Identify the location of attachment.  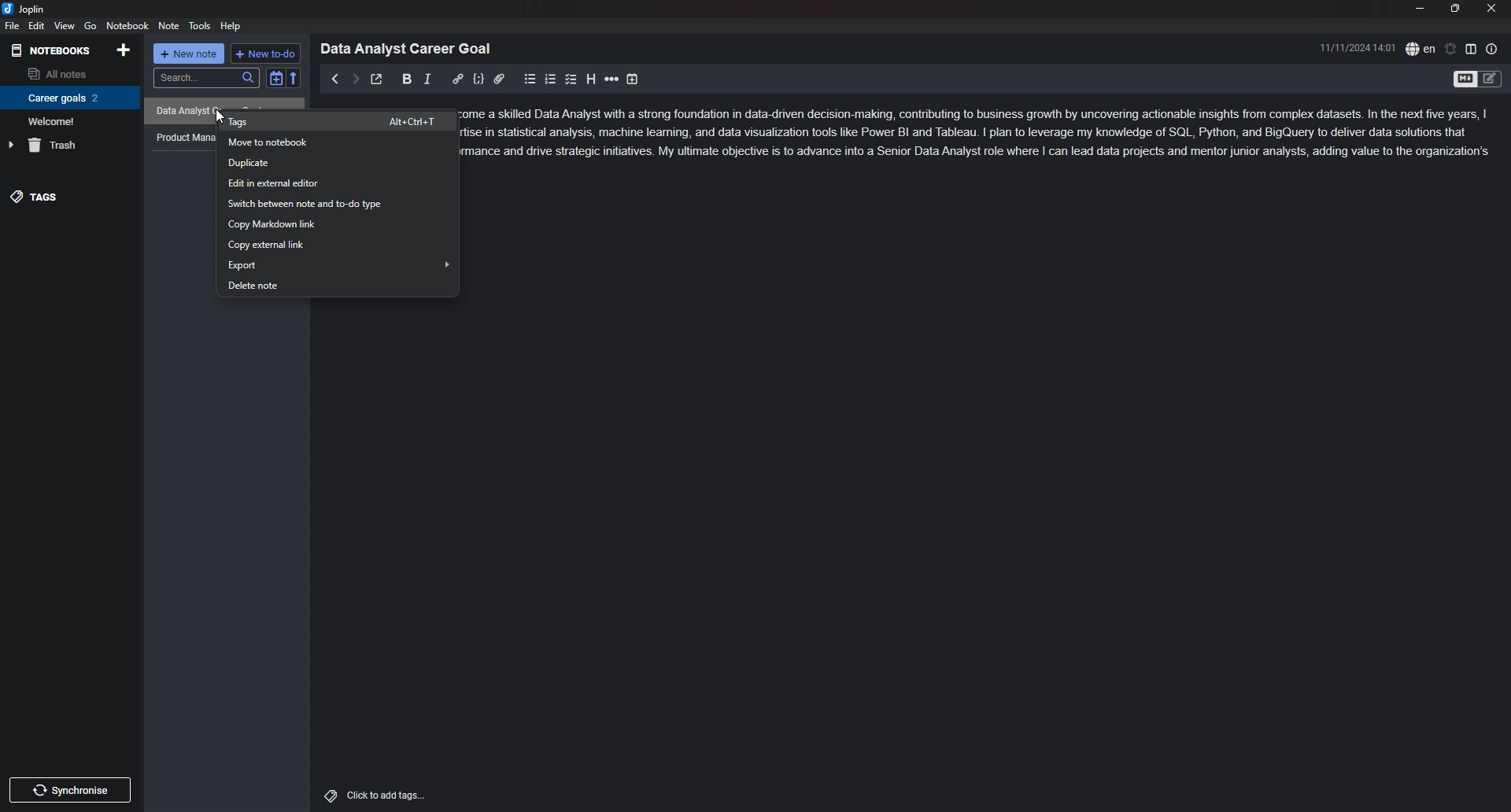
(499, 79).